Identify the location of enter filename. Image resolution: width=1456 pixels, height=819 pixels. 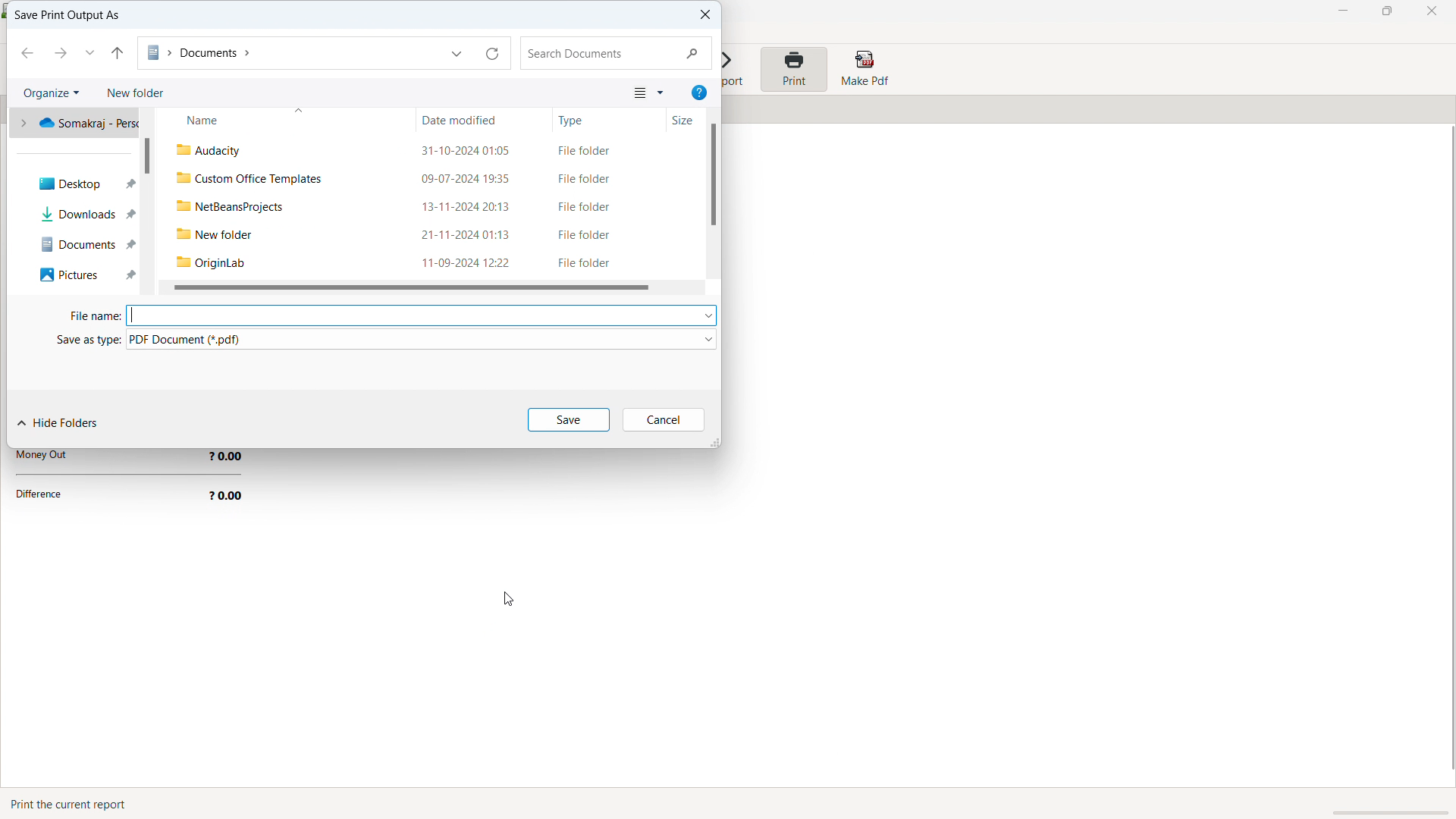
(422, 315).